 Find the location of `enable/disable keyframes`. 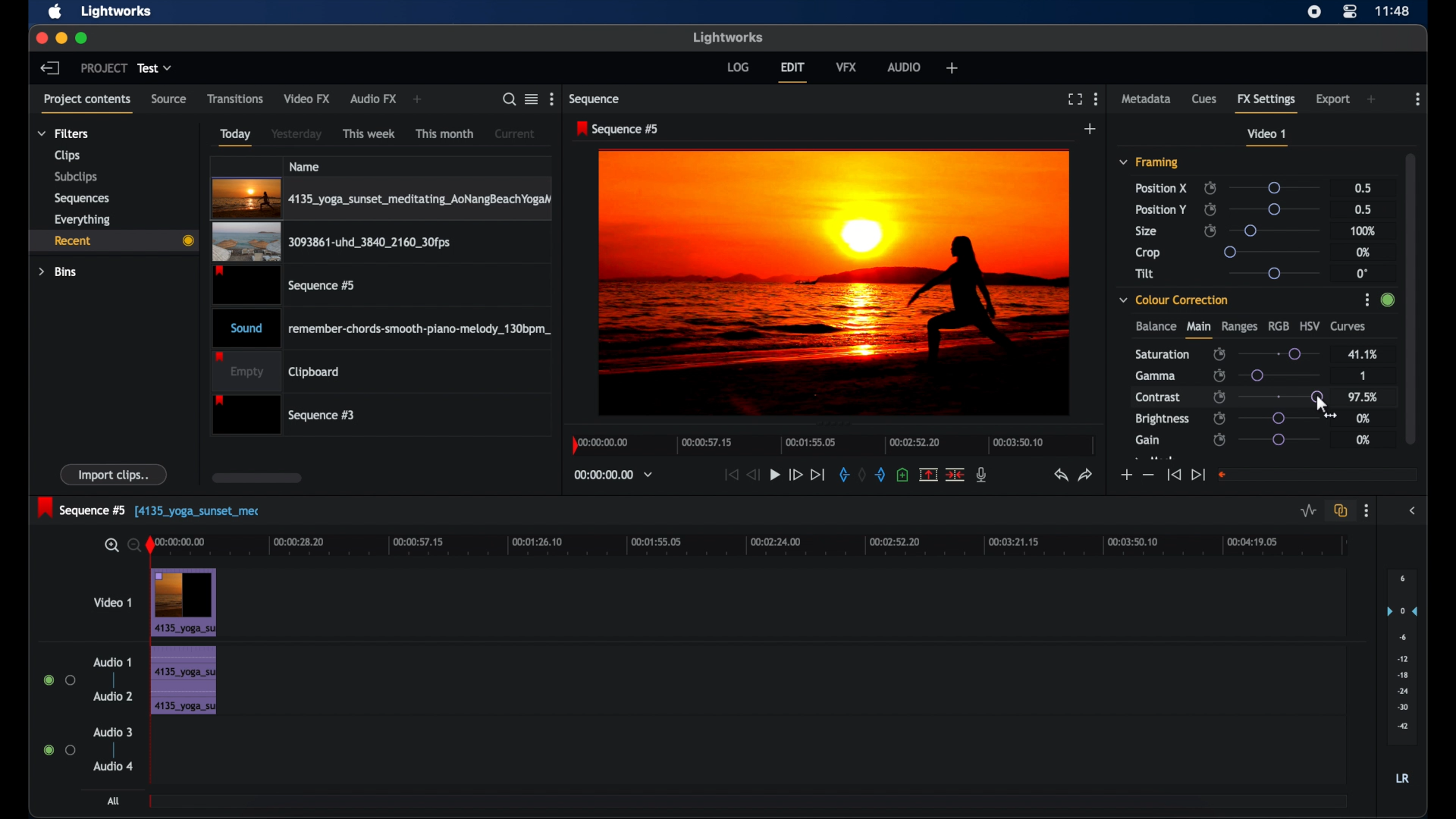

enable/disable keyframes is located at coordinates (1210, 209).